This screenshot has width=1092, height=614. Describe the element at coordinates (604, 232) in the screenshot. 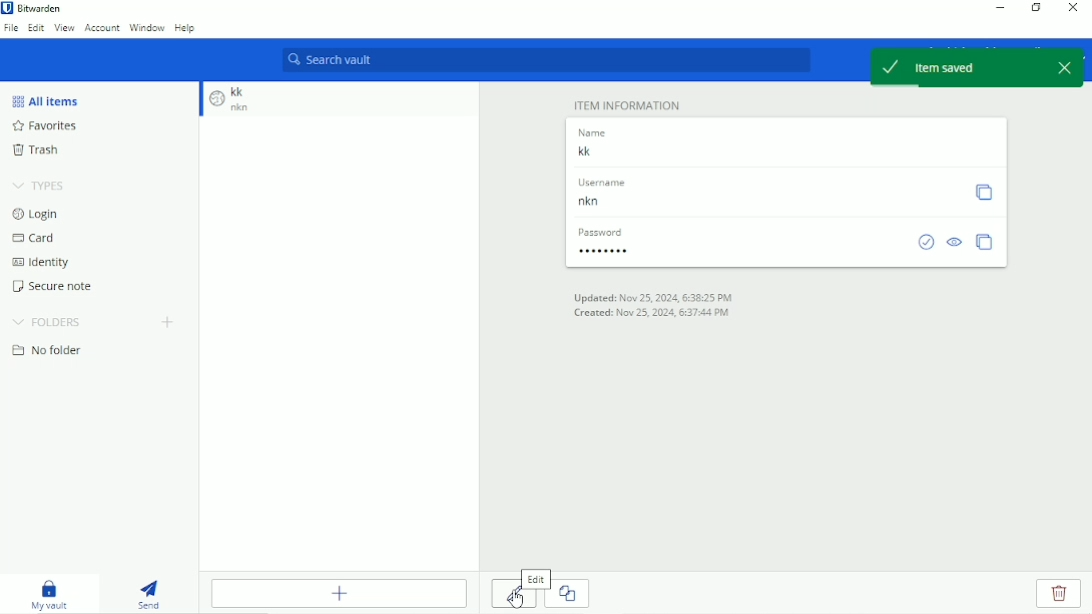

I see `password label` at that location.